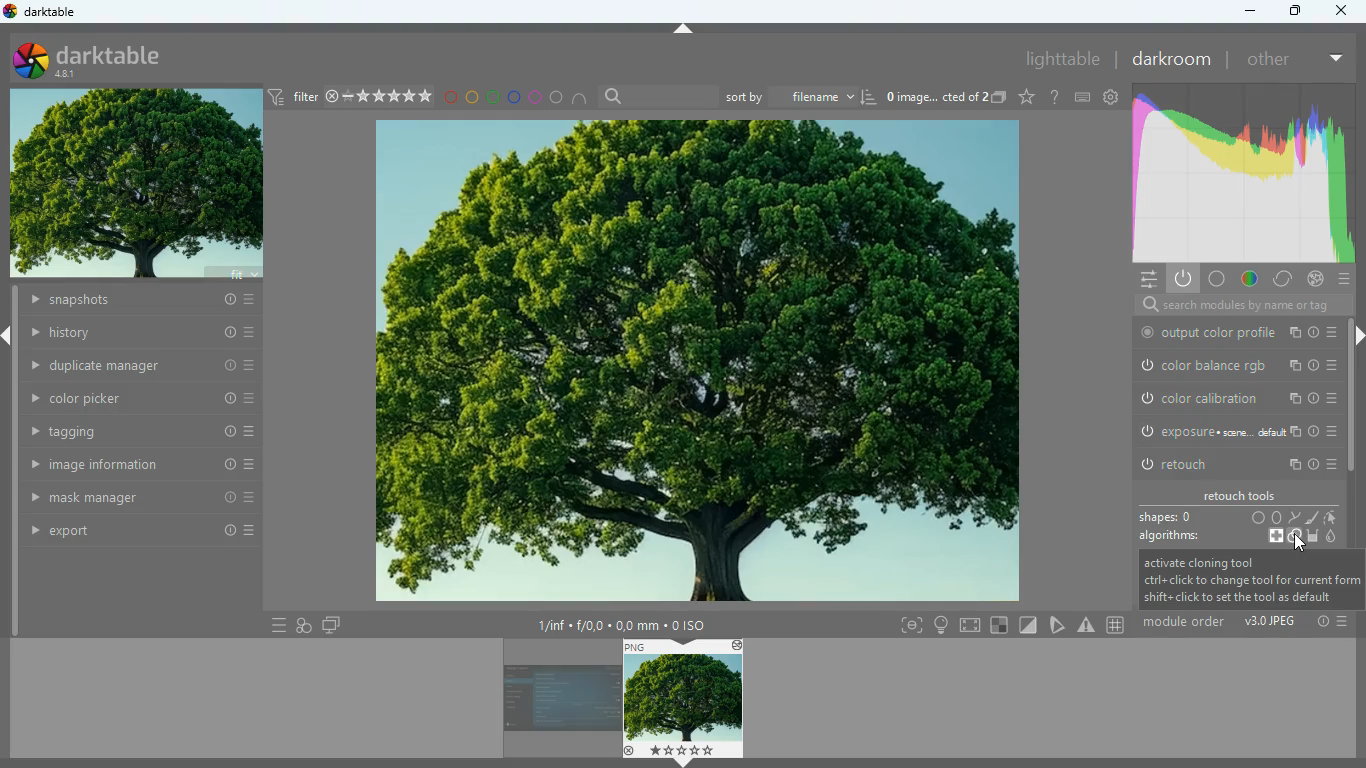 Image resolution: width=1366 pixels, height=768 pixels. I want to click on darktable, so click(94, 59).